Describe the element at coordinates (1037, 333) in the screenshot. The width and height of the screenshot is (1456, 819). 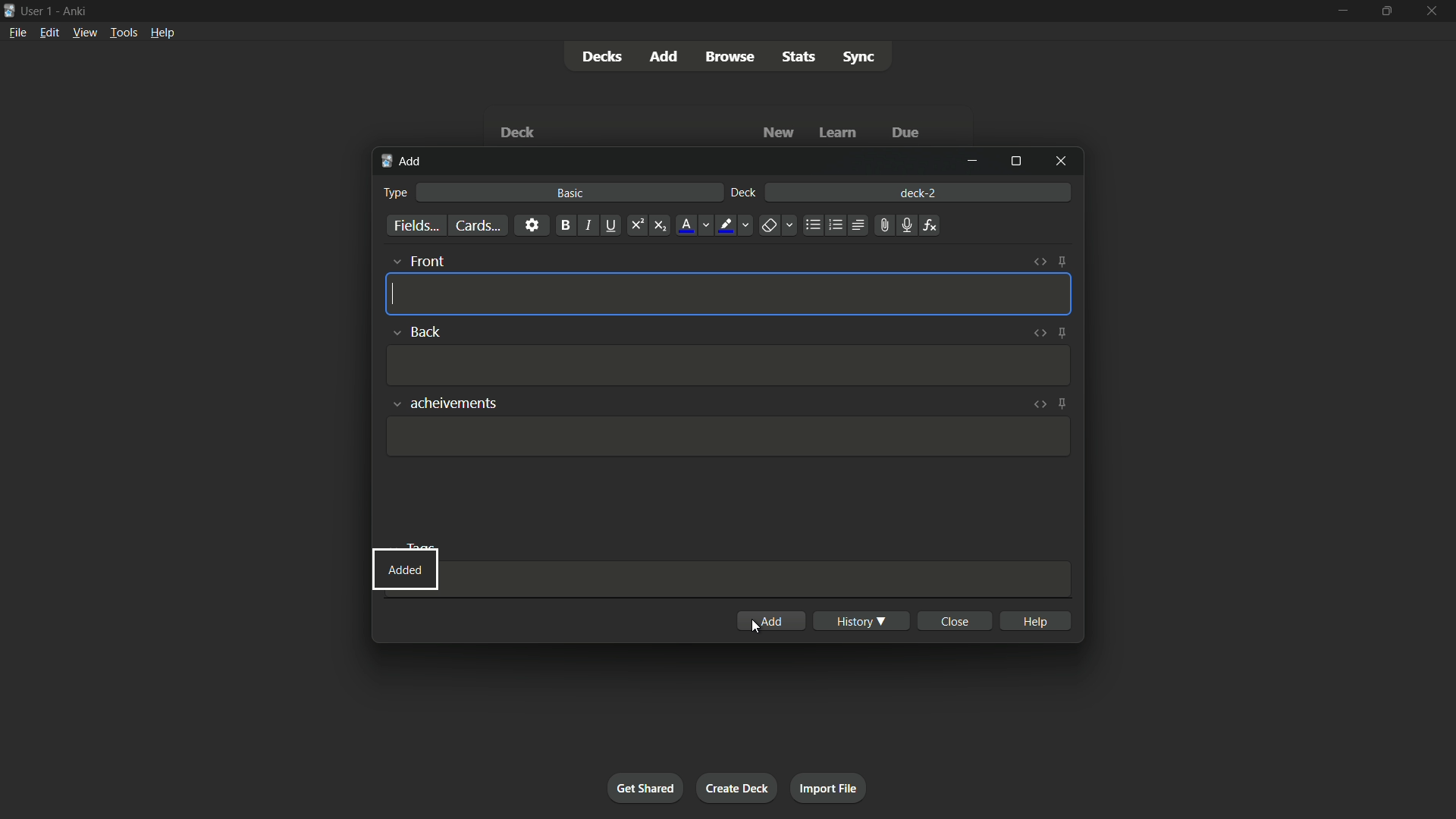
I see `toggle html editor` at that location.